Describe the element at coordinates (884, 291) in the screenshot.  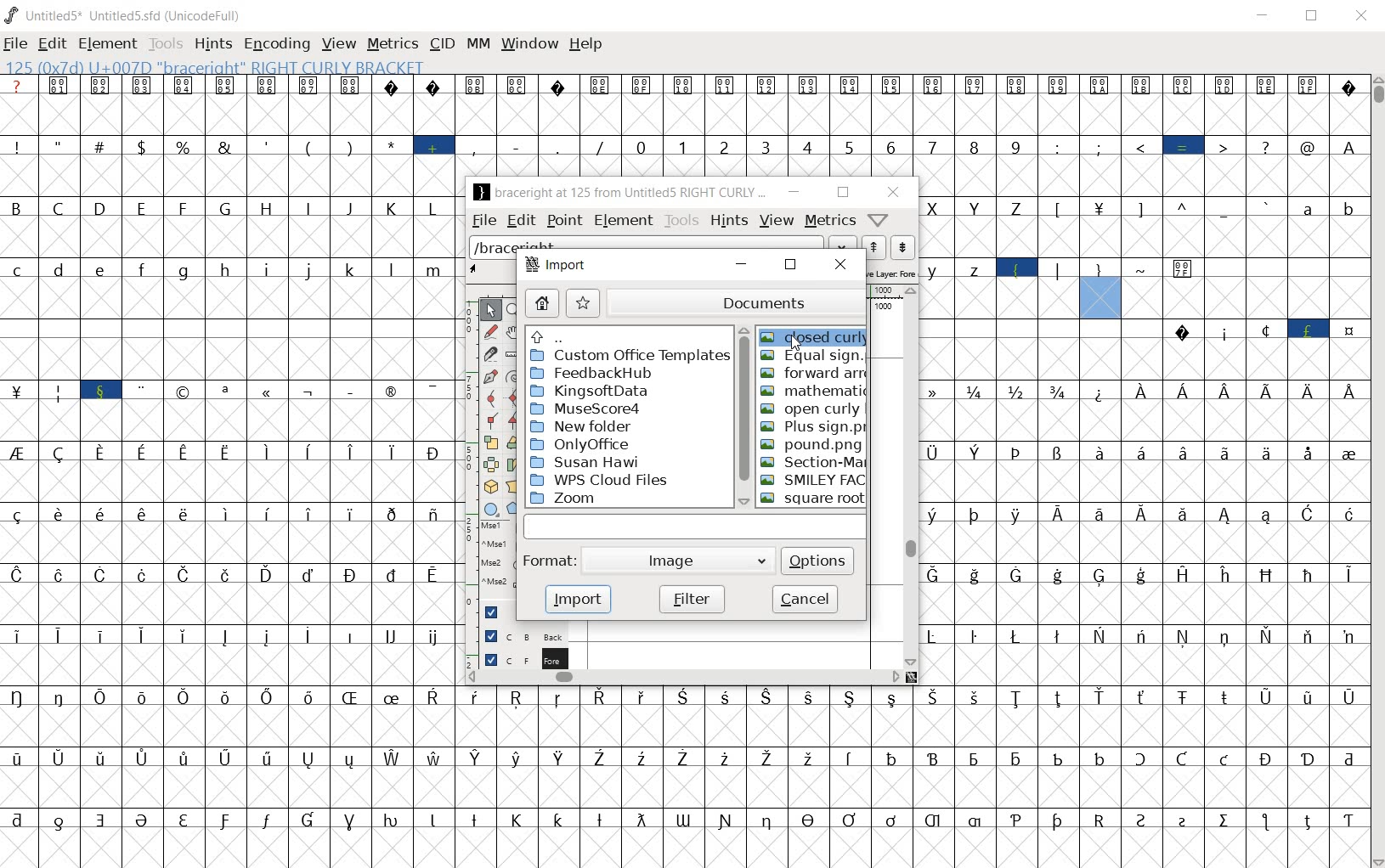
I see `ruler` at that location.